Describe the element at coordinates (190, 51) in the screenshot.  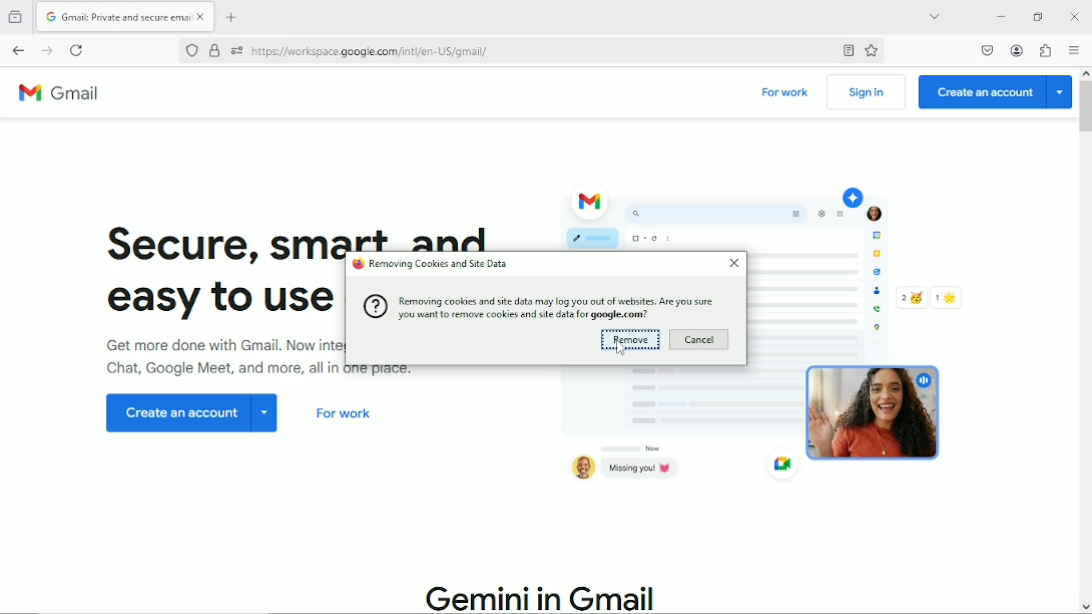
I see `No trackers known to firefox were detected on this page` at that location.